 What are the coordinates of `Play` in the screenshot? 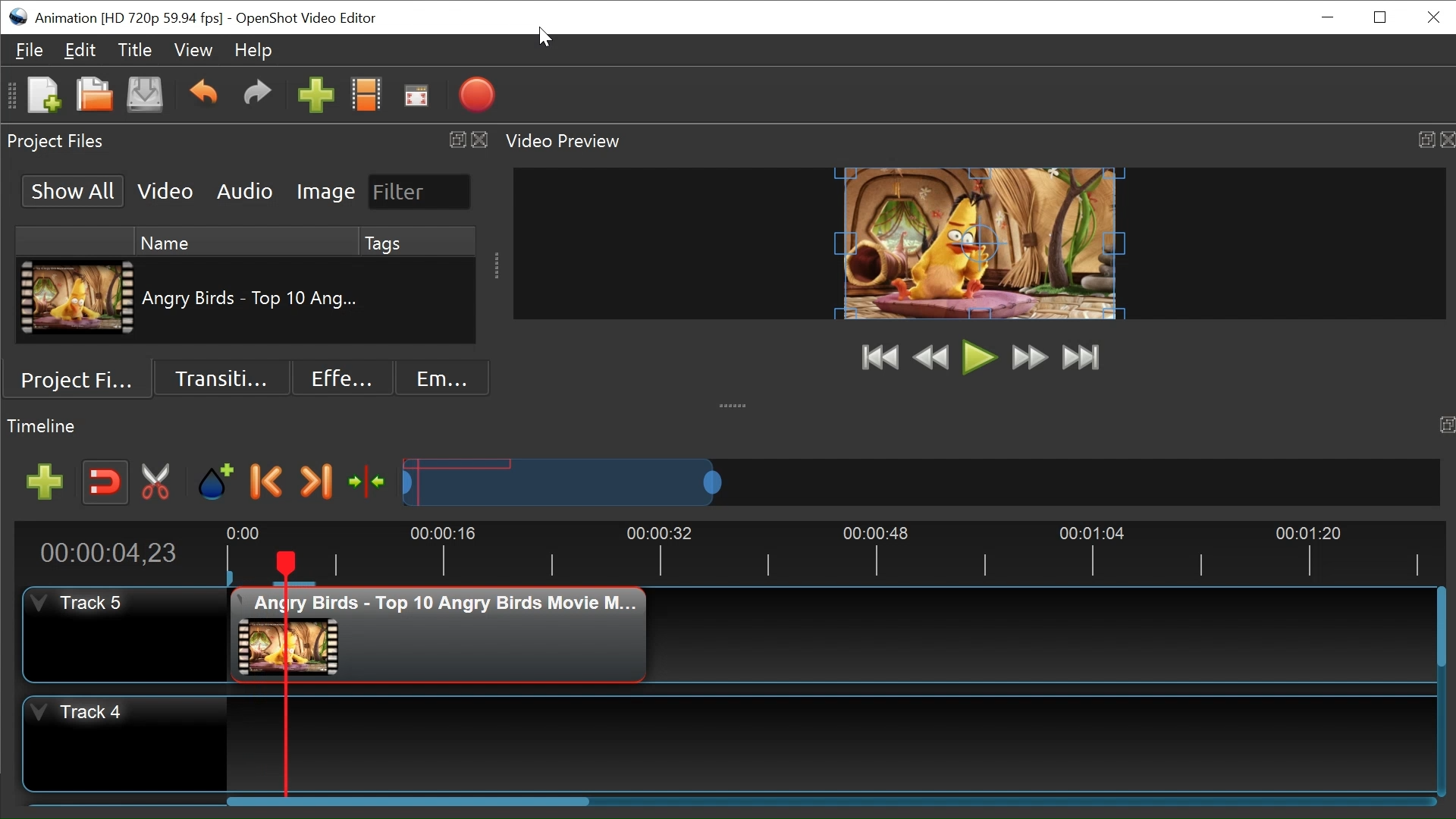 It's located at (977, 357).